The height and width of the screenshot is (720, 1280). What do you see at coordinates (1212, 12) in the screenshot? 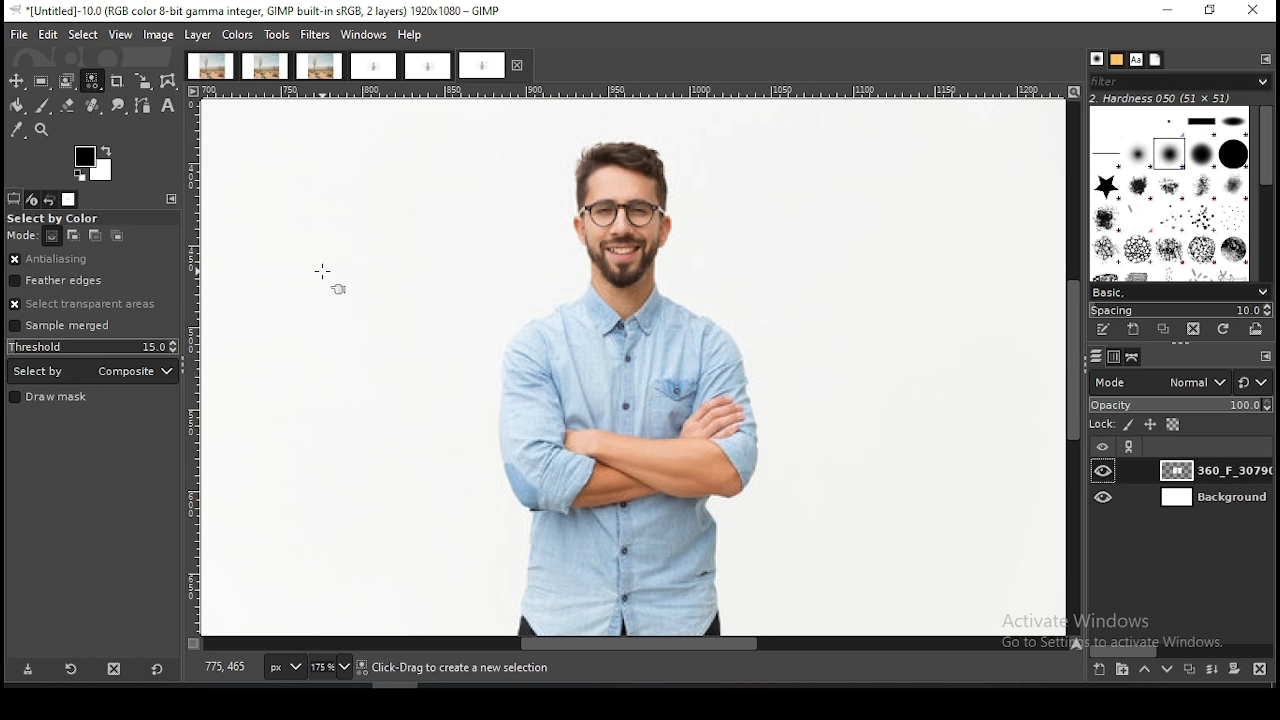
I see `restore` at bounding box center [1212, 12].